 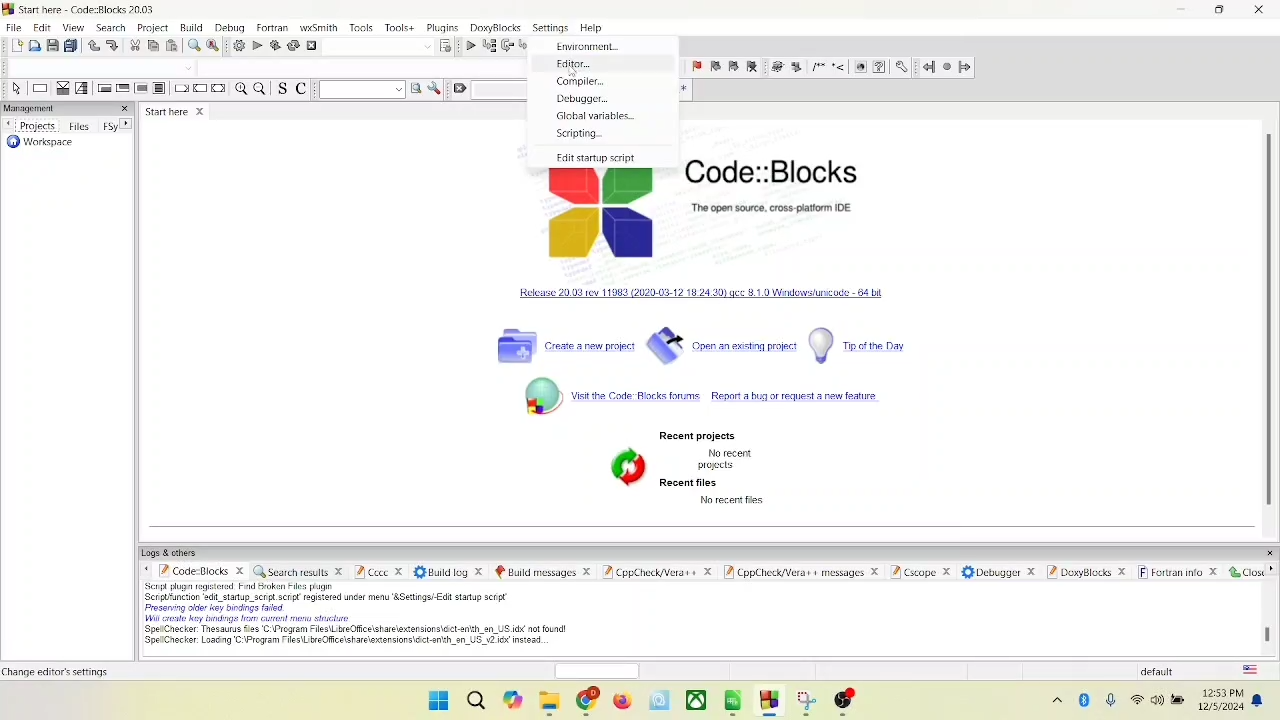 I want to click on last jump, so click(x=947, y=67).